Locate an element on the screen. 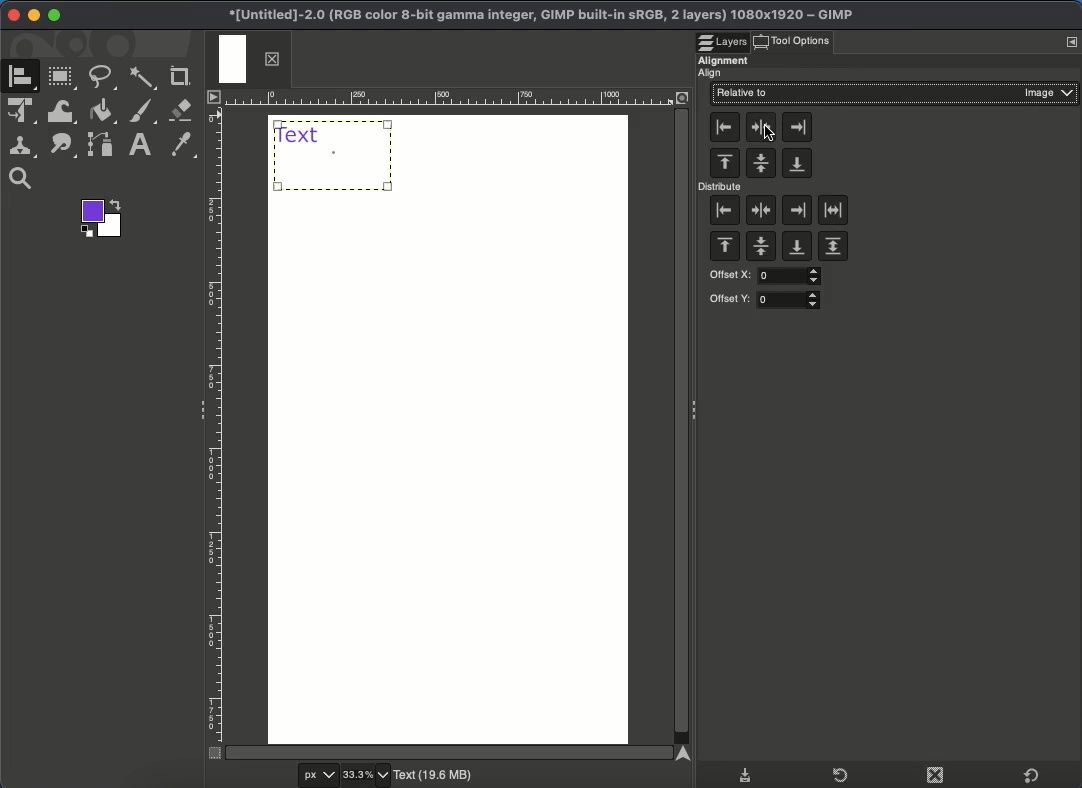  Path is located at coordinates (99, 147).